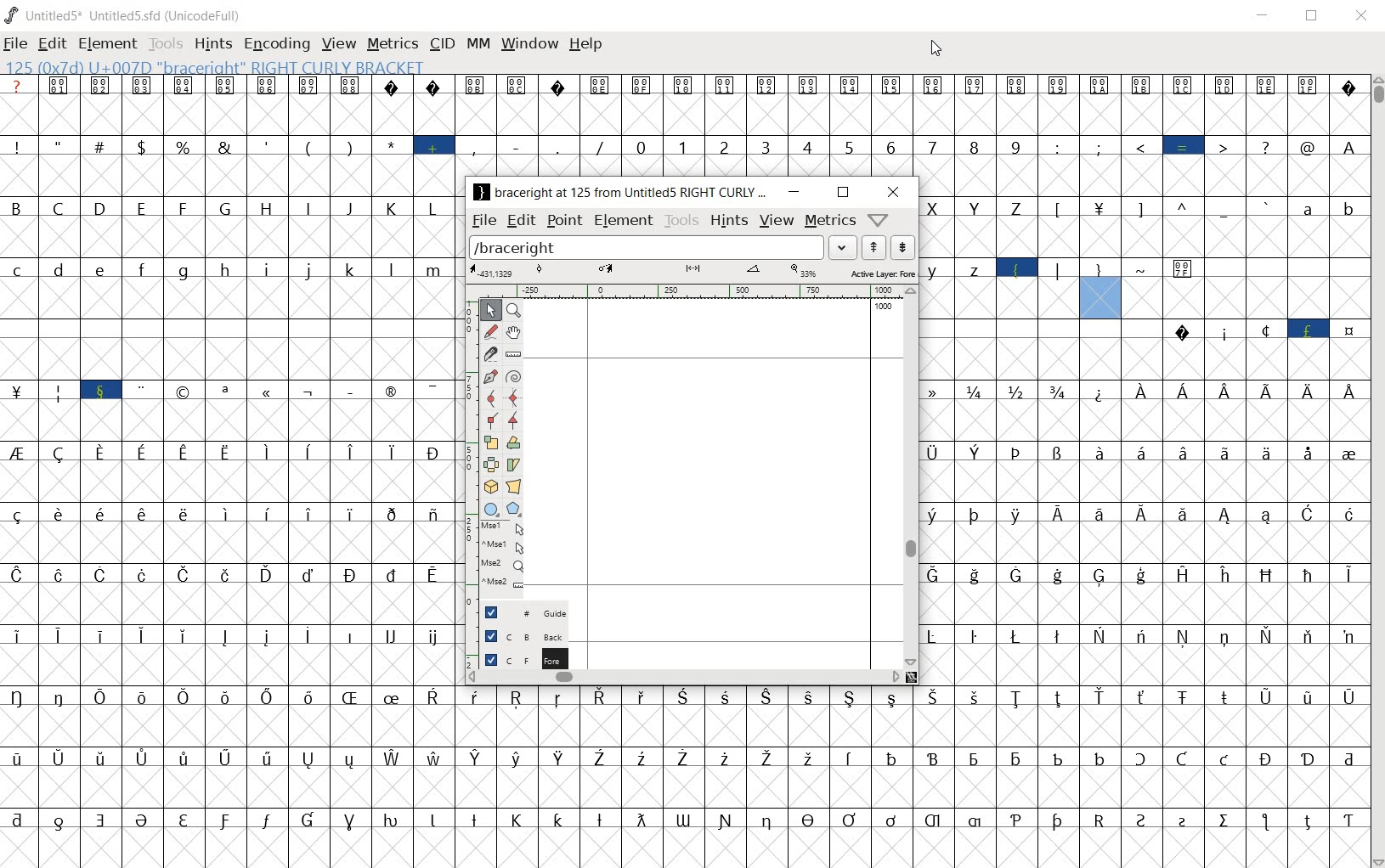 Image resolution: width=1385 pixels, height=868 pixels. I want to click on add a curve point always either horizontal or vertical, so click(513, 397).